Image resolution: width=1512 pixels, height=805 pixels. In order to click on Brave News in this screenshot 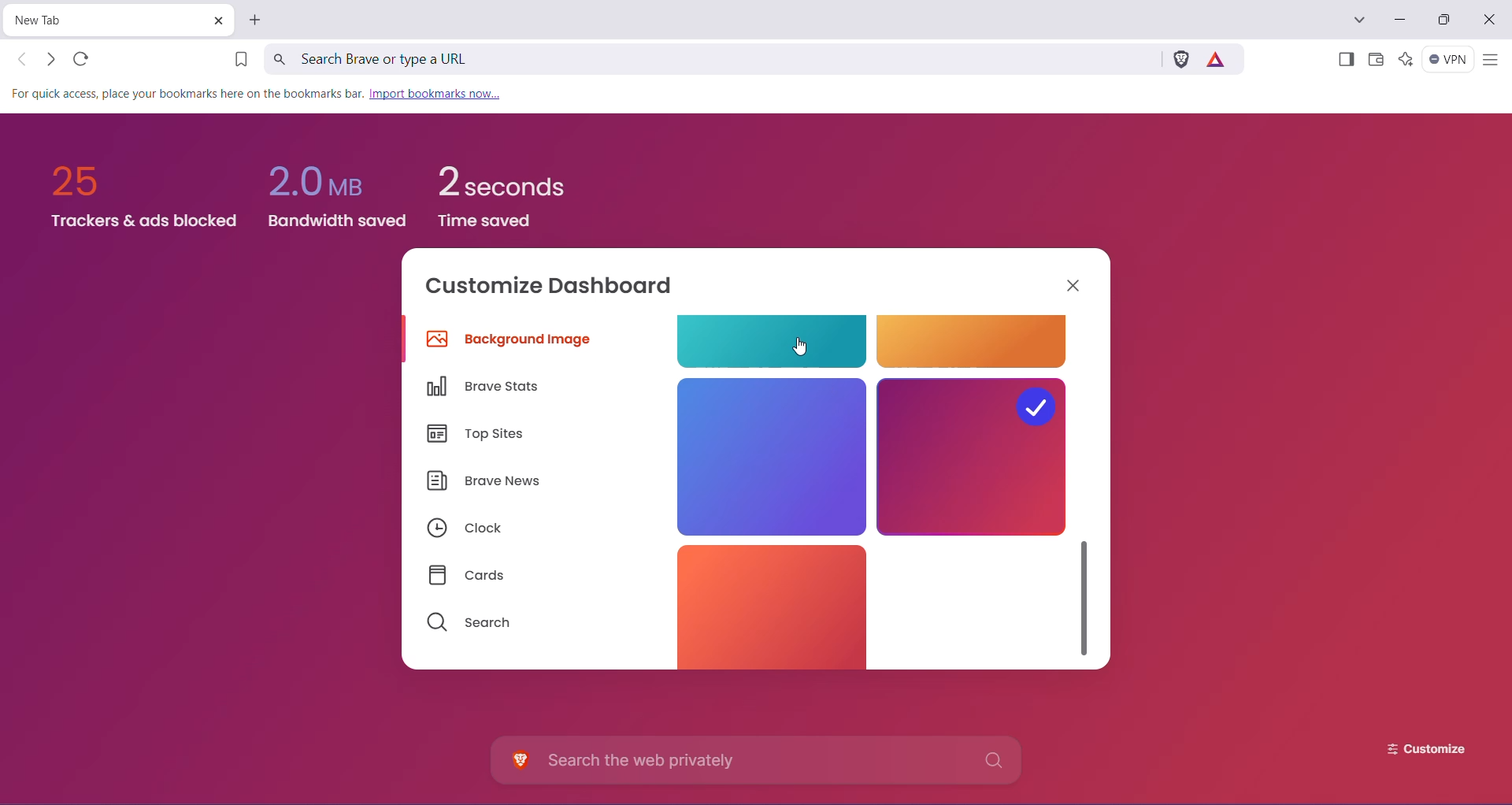, I will do `click(484, 483)`.